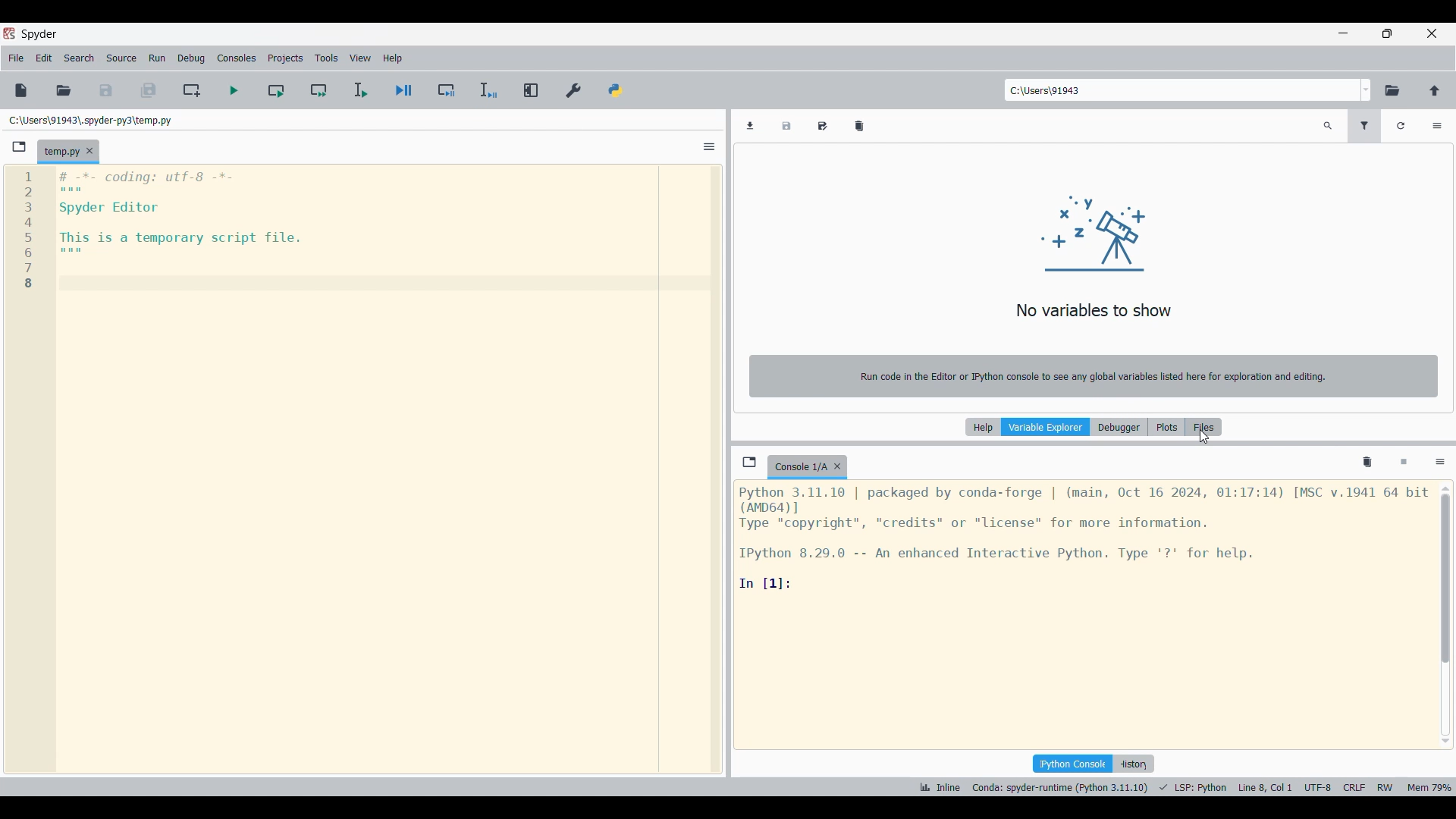 The image size is (1456, 819). Describe the element at coordinates (19, 147) in the screenshot. I see `Browse tab` at that location.